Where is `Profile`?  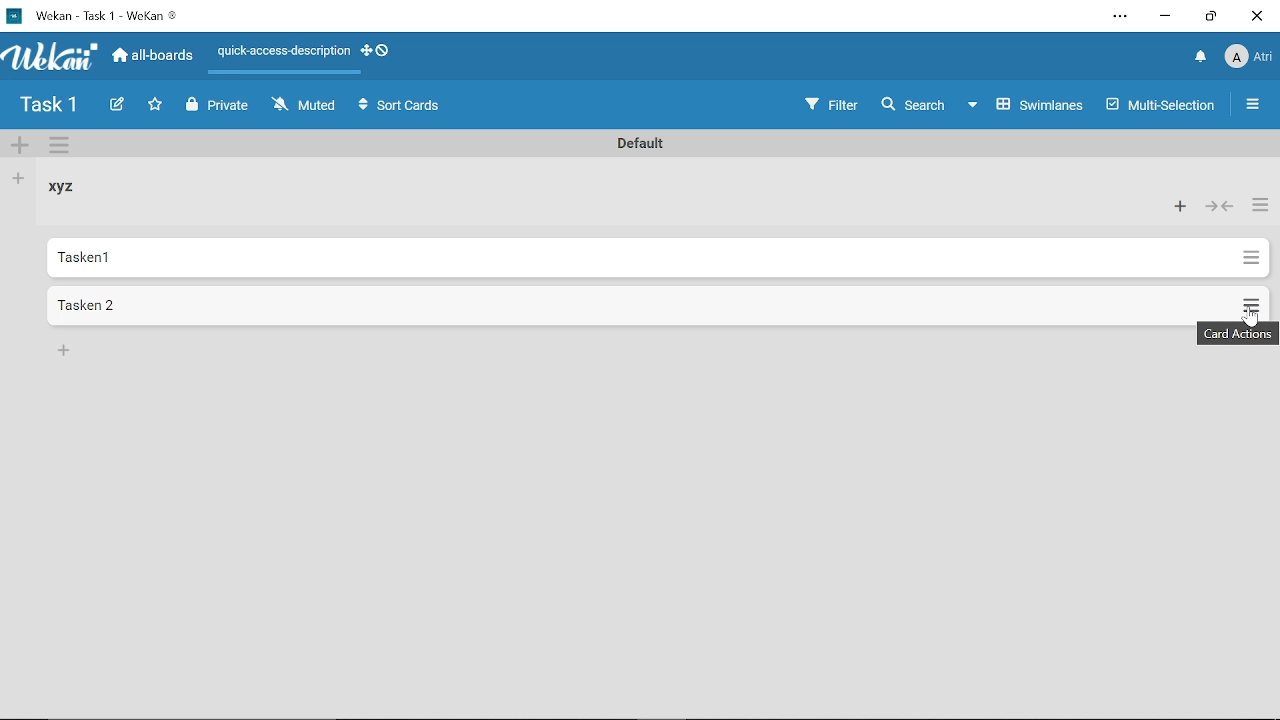 Profile is located at coordinates (1250, 58).